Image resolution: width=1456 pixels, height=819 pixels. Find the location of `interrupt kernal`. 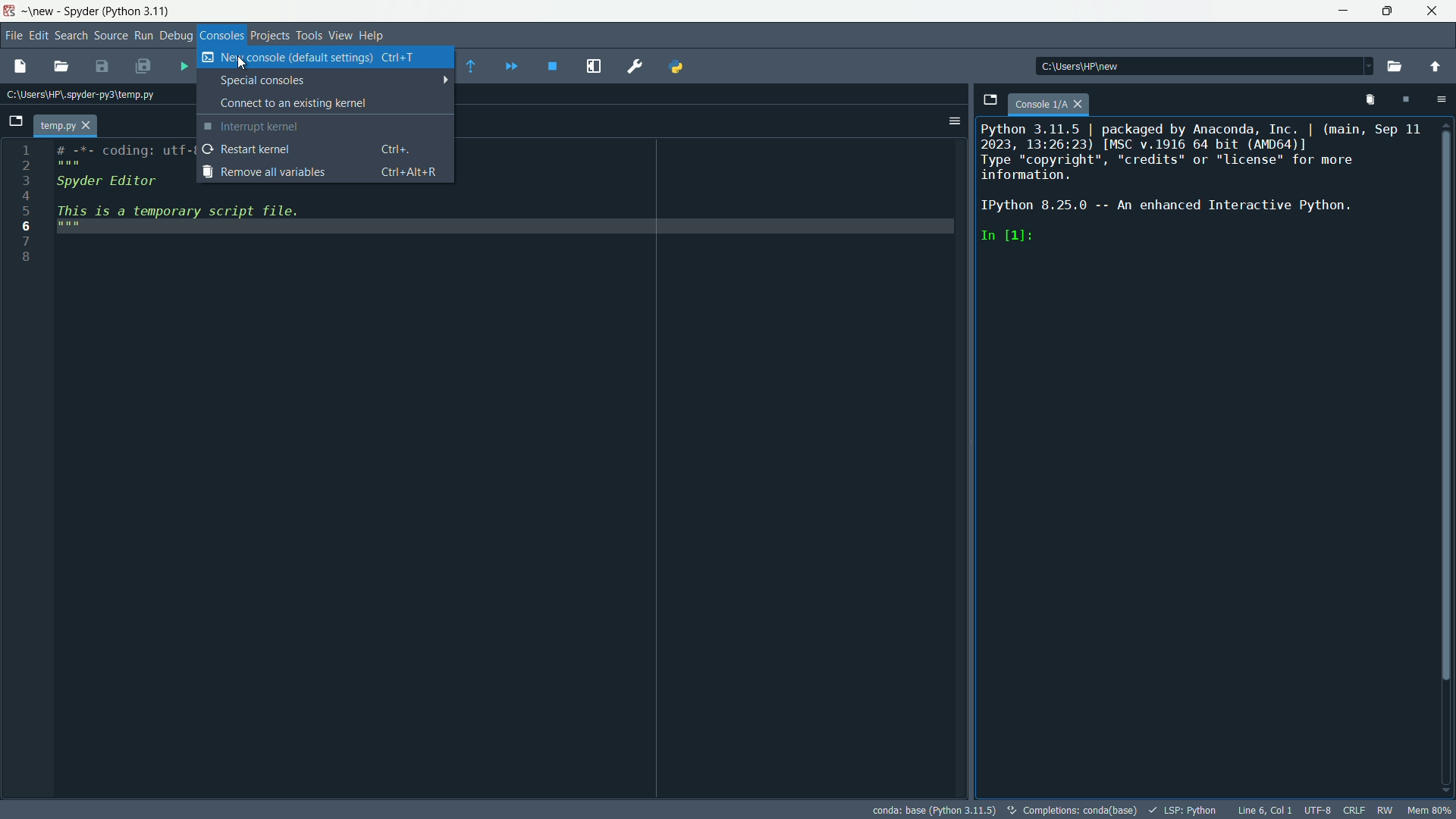

interrupt kernal is located at coordinates (1407, 99).